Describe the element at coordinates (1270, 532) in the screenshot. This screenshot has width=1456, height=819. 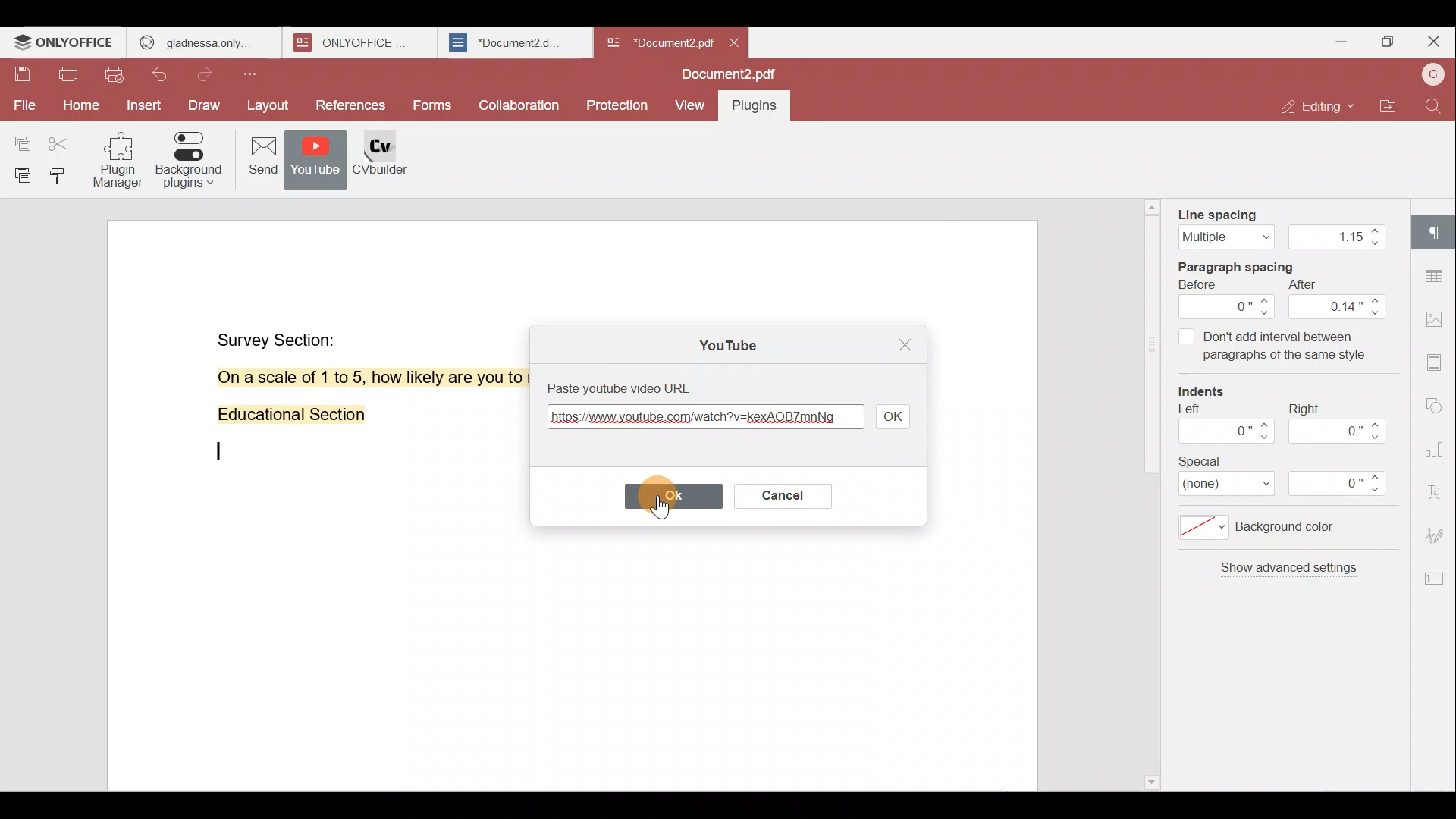
I see `Background color` at that location.